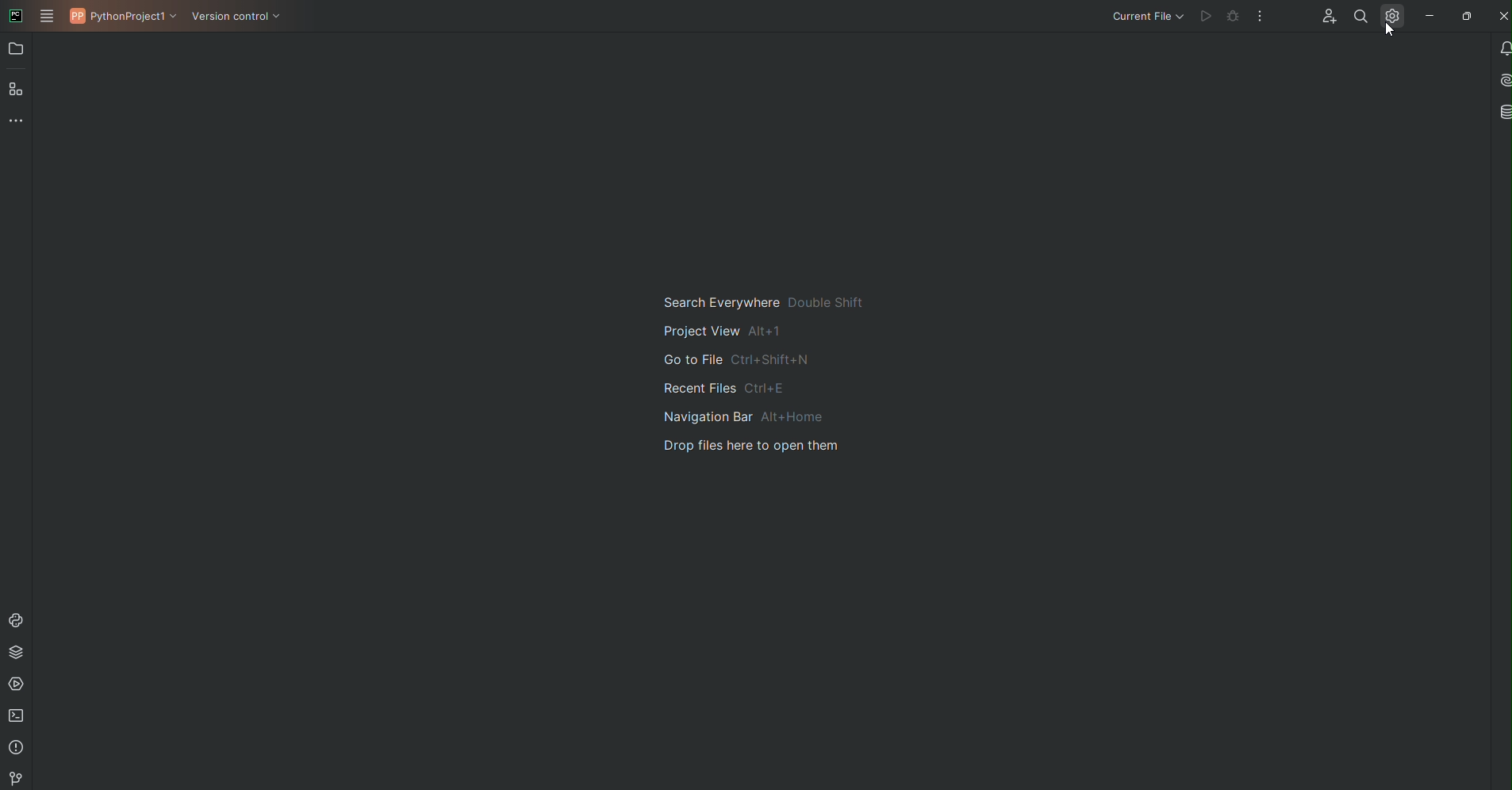 This screenshot has width=1512, height=790. Describe the element at coordinates (49, 16) in the screenshot. I see `Main Menu` at that location.